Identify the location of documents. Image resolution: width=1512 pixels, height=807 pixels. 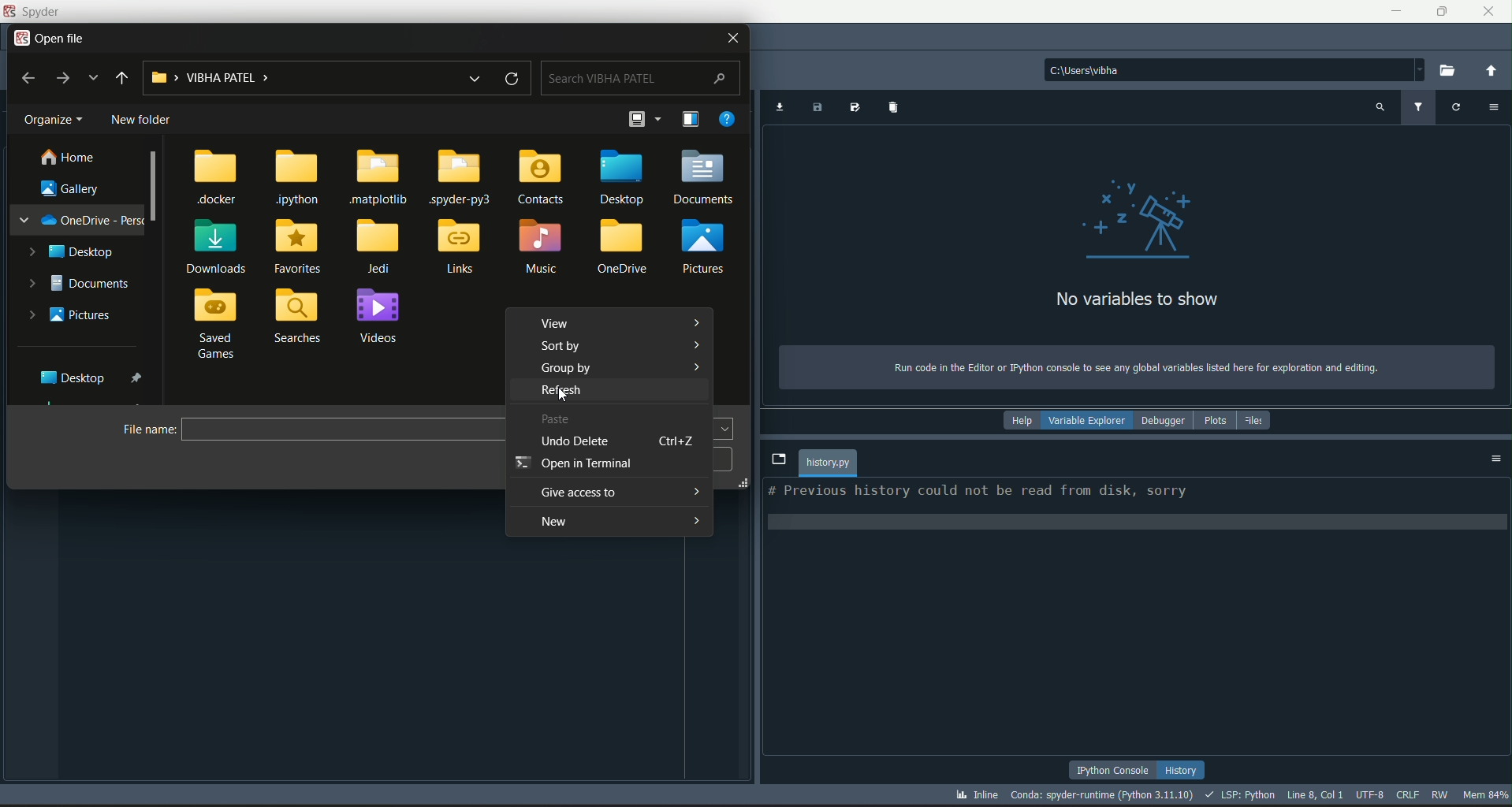
(83, 284).